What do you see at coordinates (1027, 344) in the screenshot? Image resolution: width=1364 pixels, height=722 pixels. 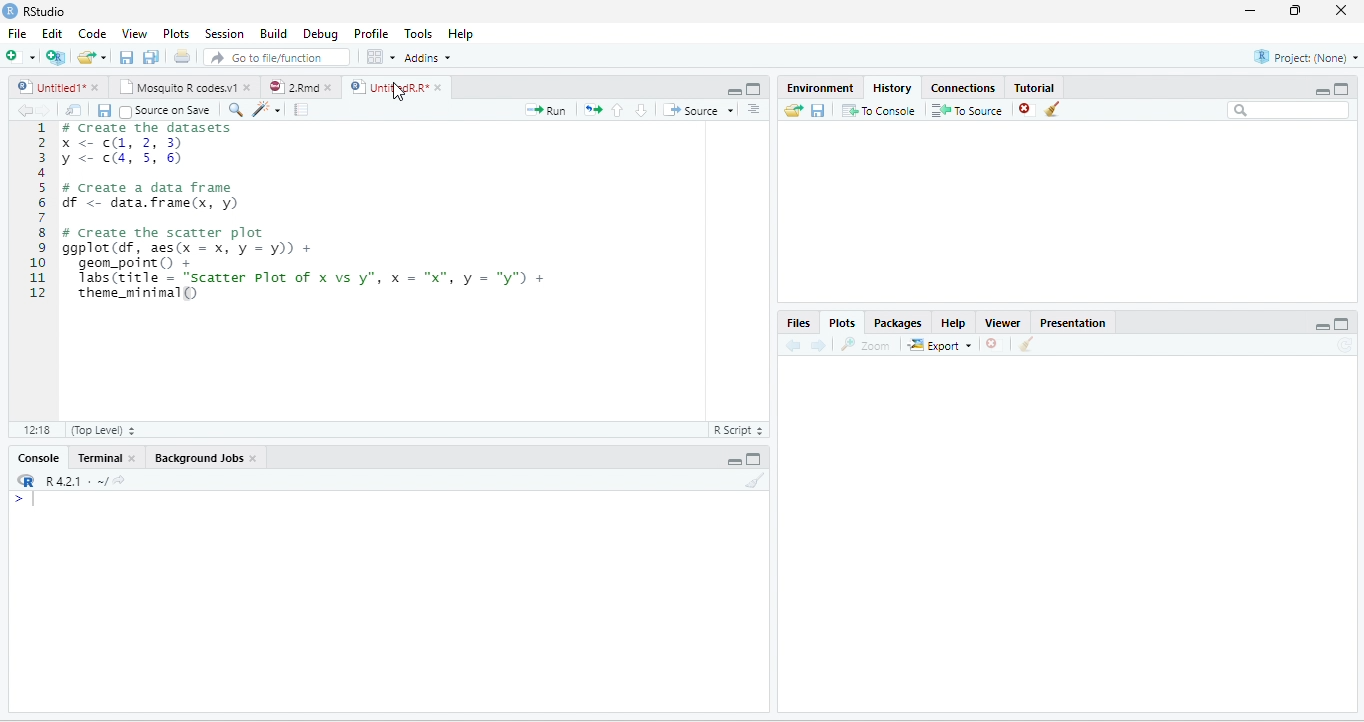 I see `Clear all plots` at bounding box center [1027, 344].